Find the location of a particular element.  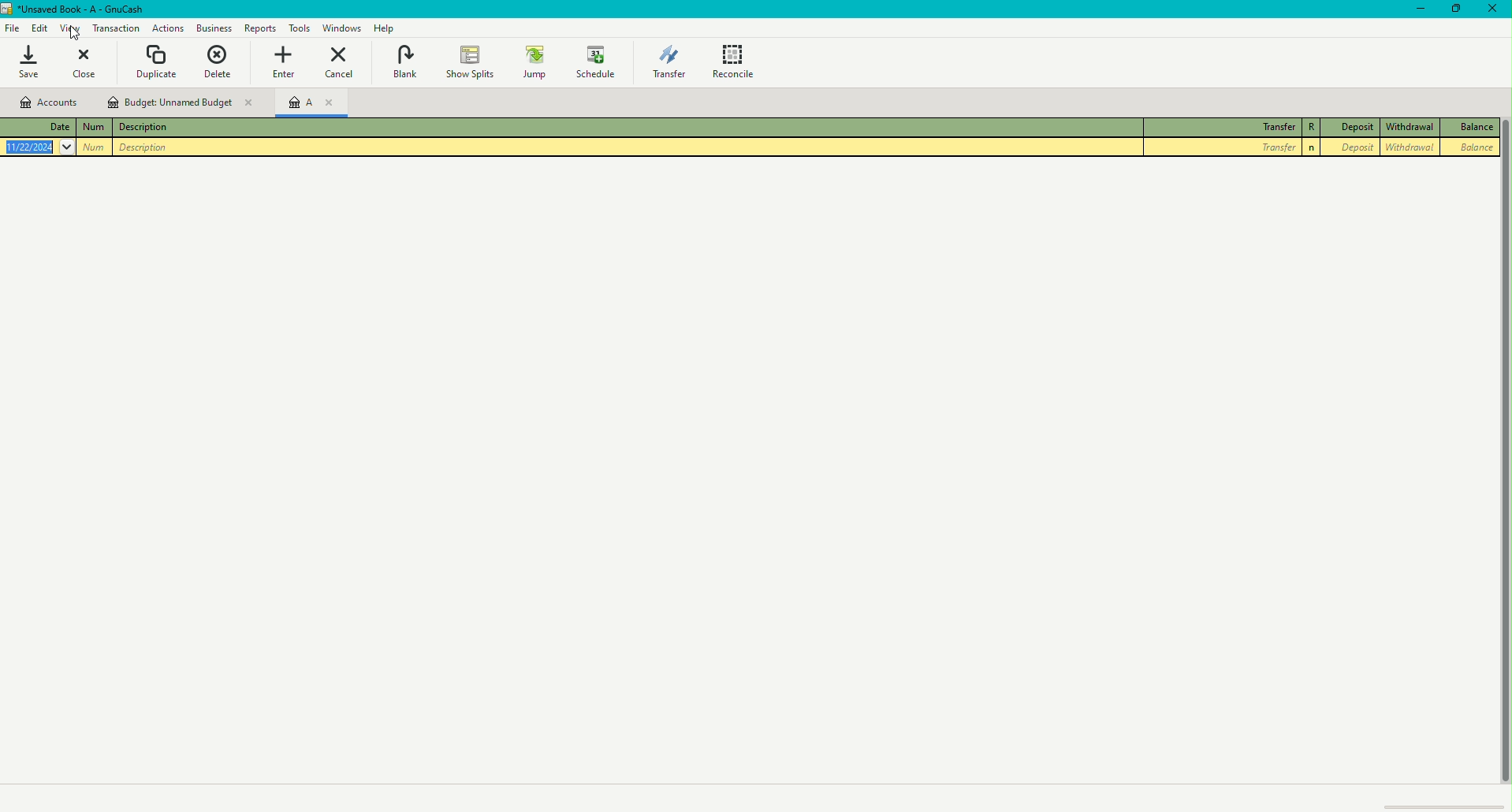

Help is located at coordinates (384, 28).